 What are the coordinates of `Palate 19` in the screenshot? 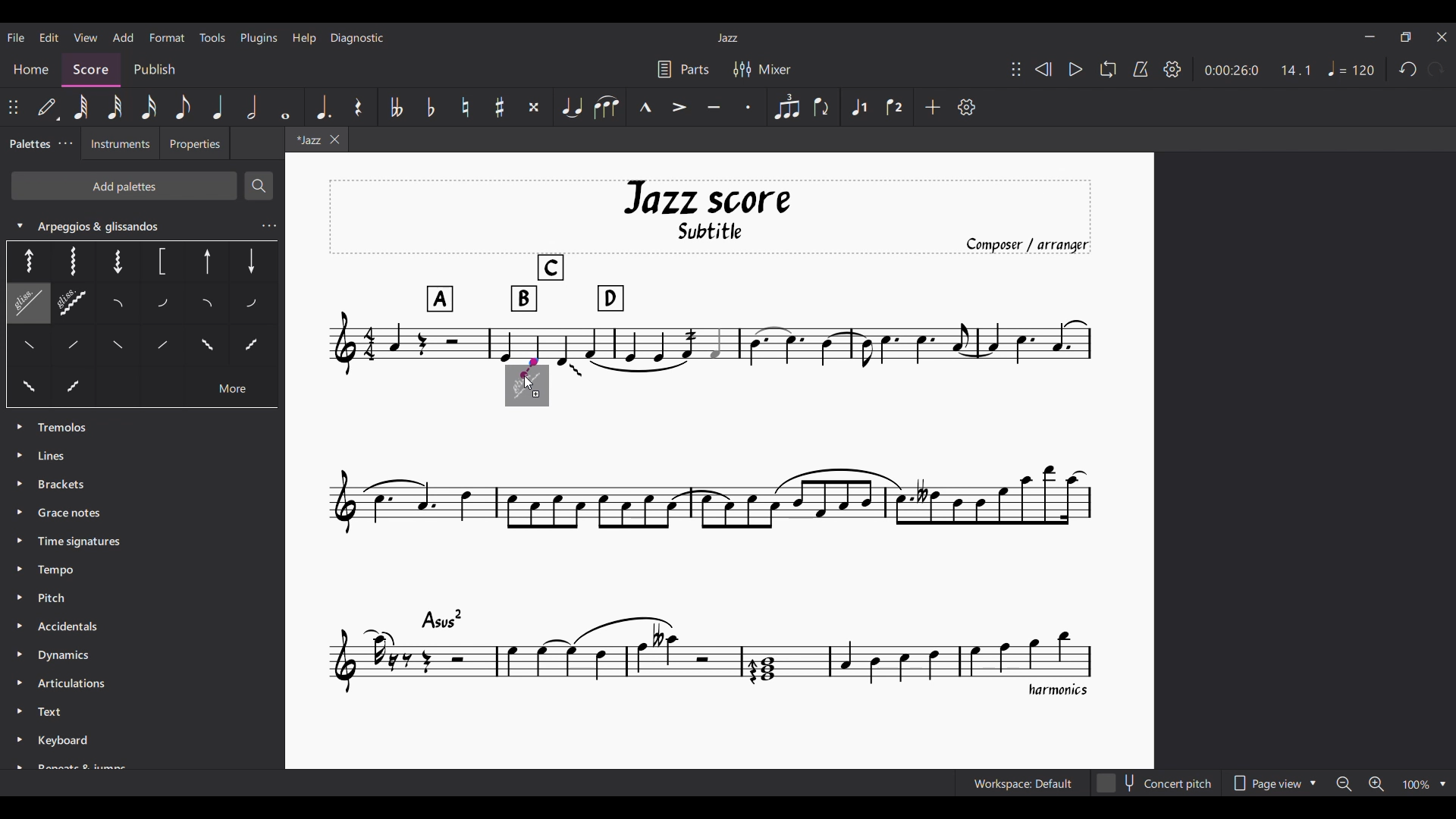 It's located at (74, 388).